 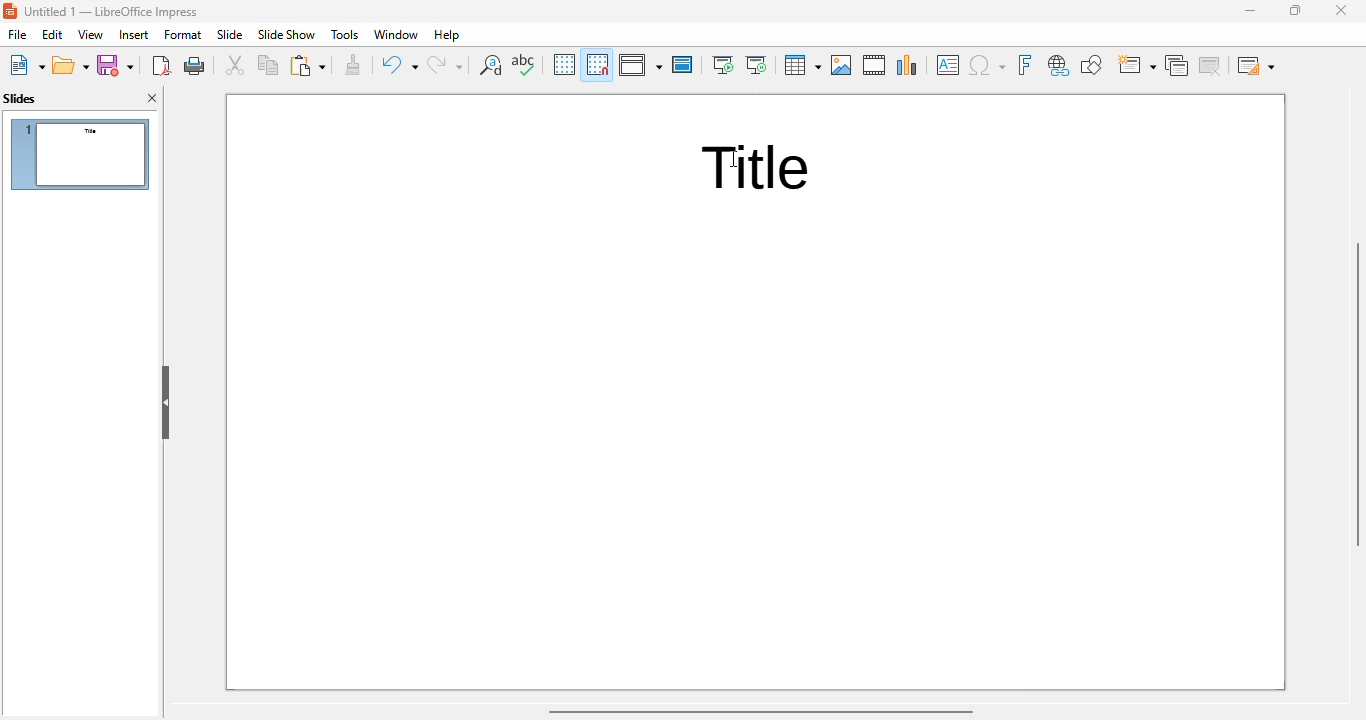 What do you see at coordinates (1136, 65) in the screenshot?
I see `new slide` at bounding box center [1136, 65].